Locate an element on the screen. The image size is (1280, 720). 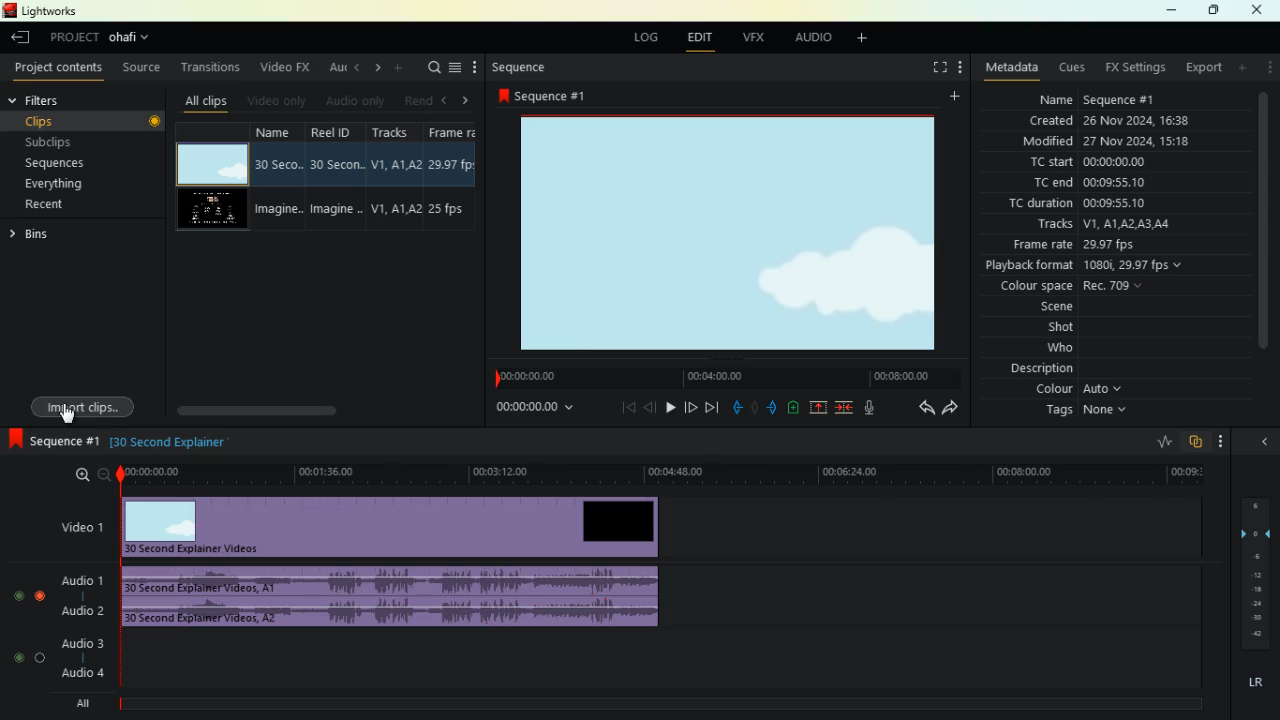
sequences is located at coordinates (63, 164).